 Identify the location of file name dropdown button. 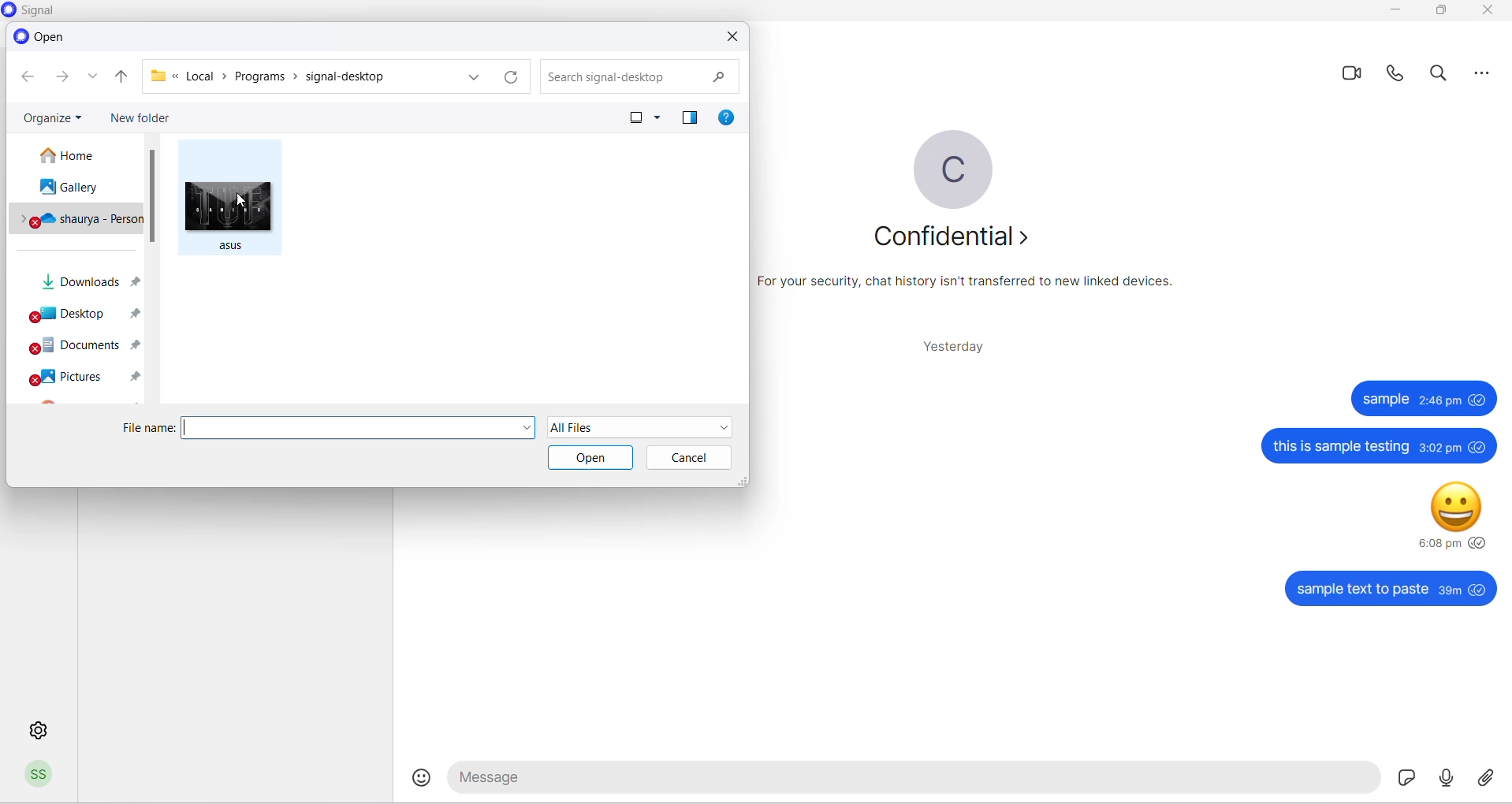
(526, 429).